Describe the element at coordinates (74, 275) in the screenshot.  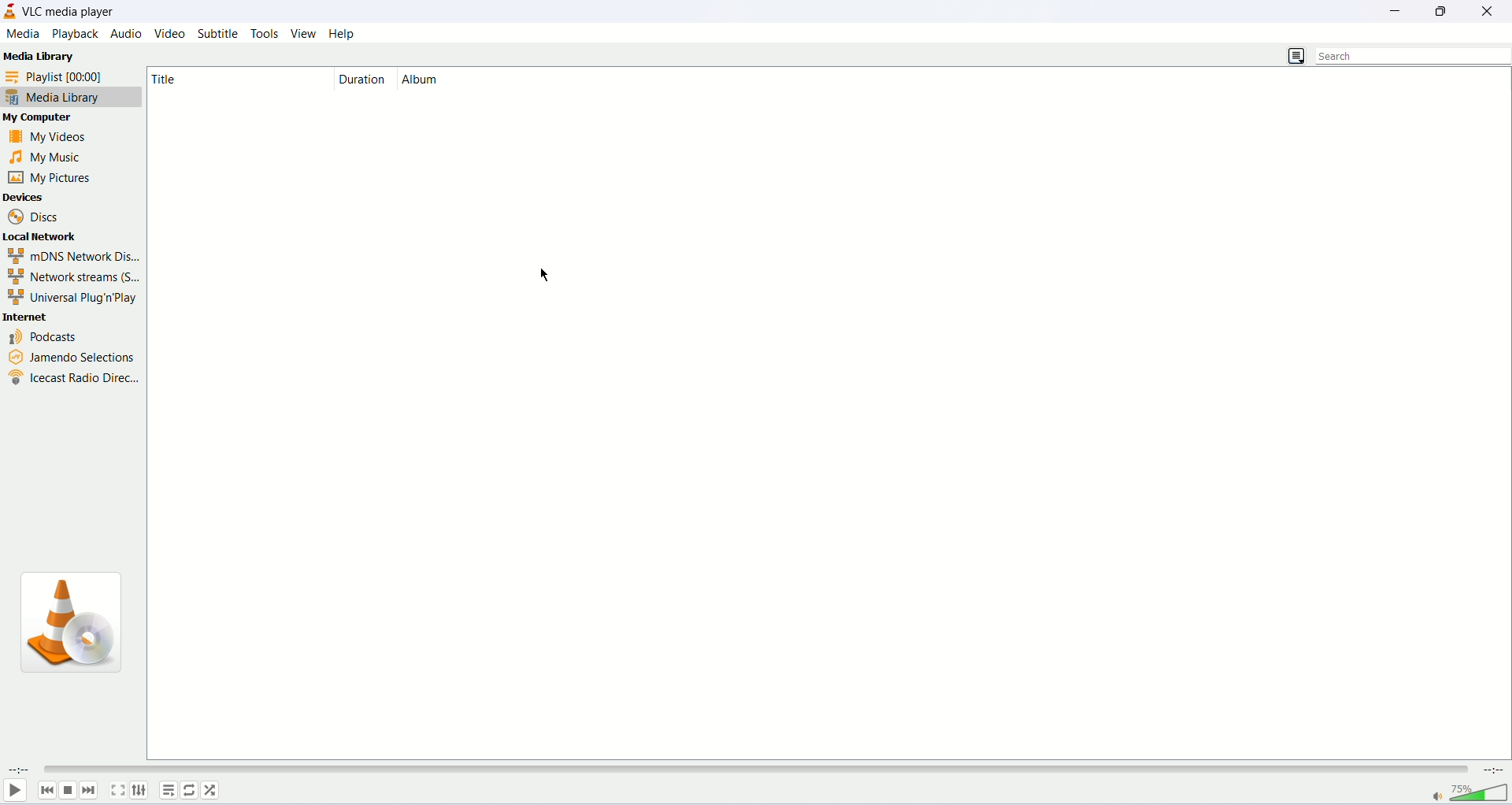
I see `network streams` at that location.